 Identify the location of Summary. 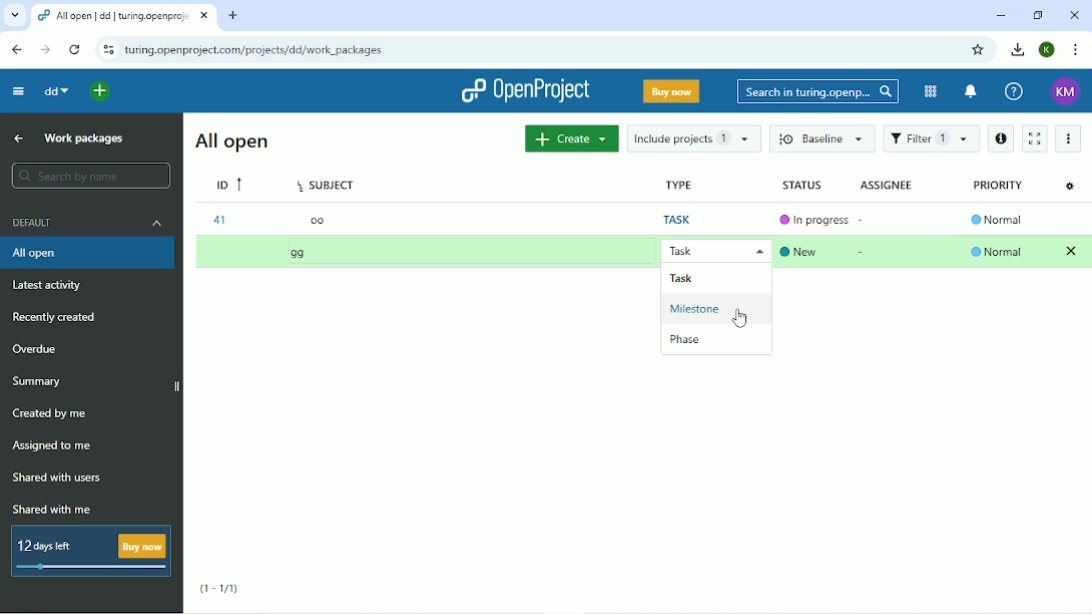
(37, 381).